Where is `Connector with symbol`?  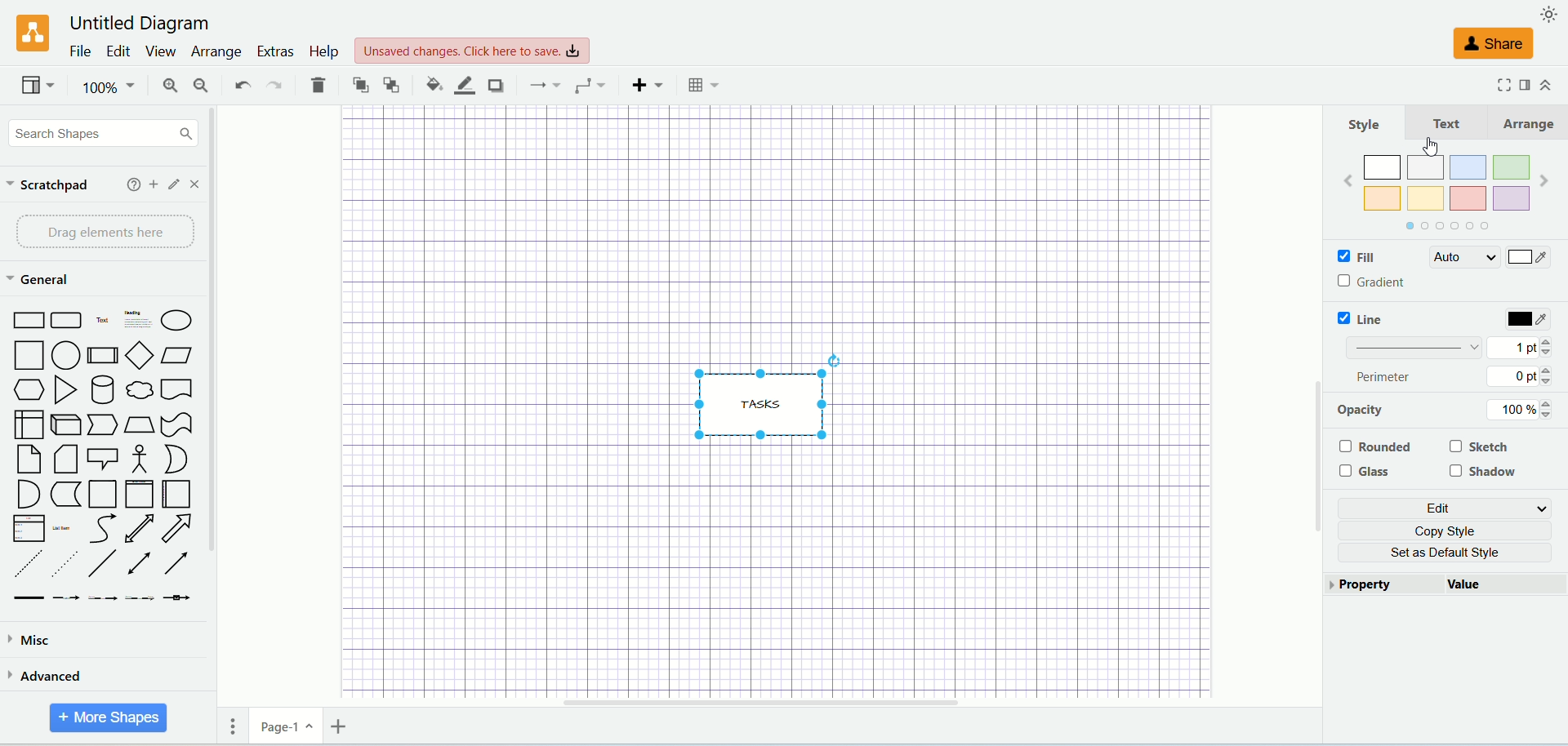 Connector with symbol is located at coordinates (176, 595).